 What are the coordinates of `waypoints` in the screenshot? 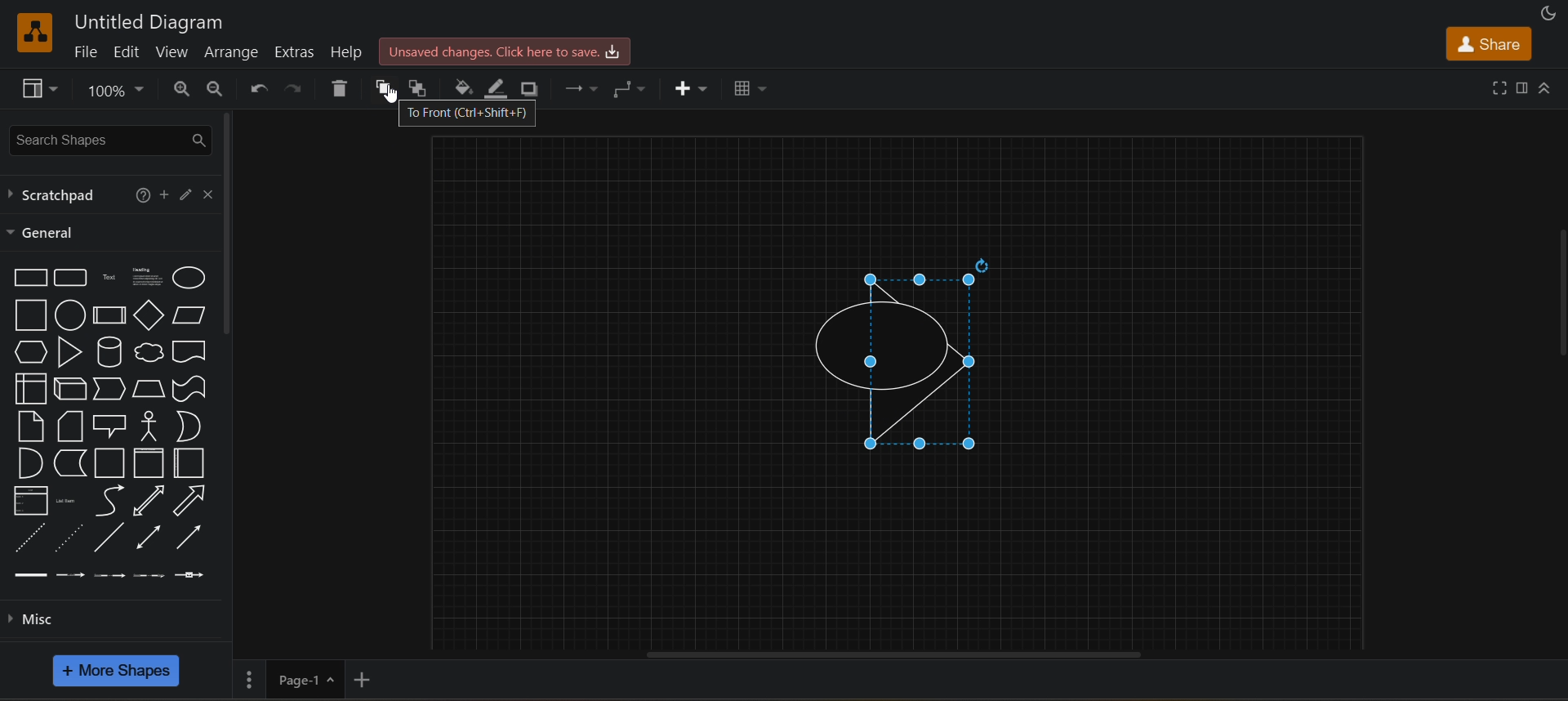 It's located at (635, 90).